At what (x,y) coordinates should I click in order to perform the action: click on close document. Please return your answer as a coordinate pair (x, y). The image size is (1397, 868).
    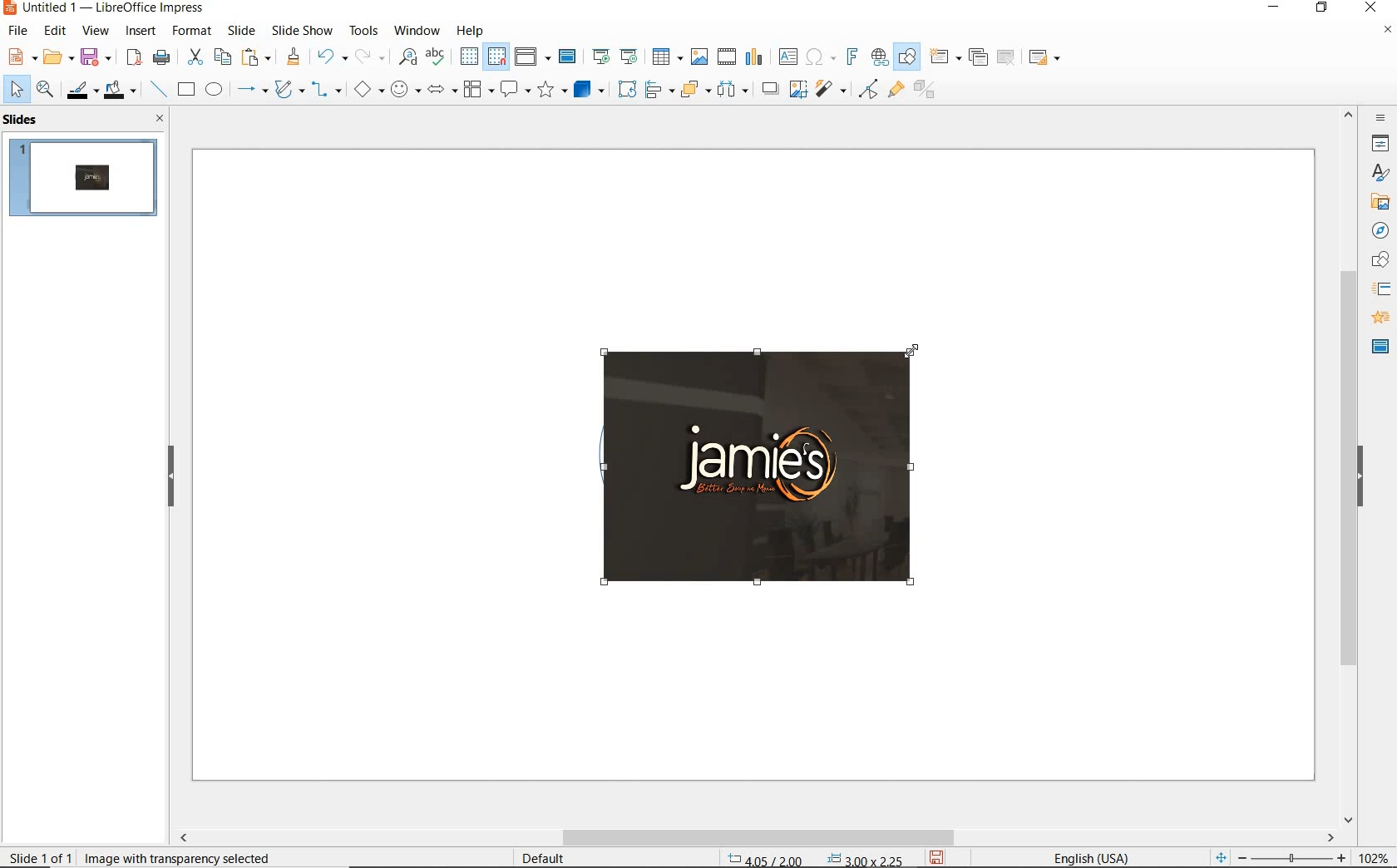
    Looking at the image, I should click on (1387, 33).